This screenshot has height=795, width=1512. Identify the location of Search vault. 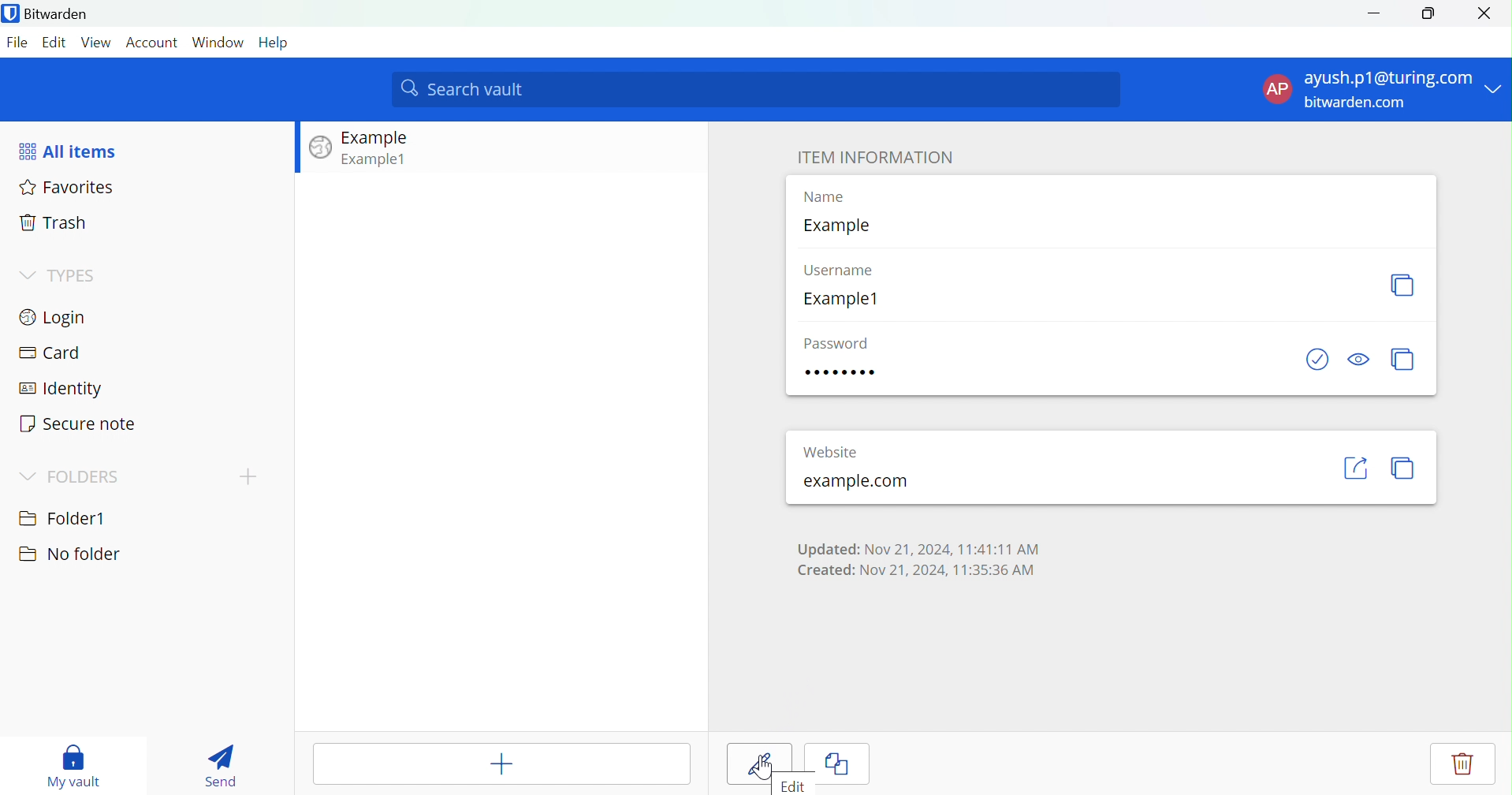
(757, 90).